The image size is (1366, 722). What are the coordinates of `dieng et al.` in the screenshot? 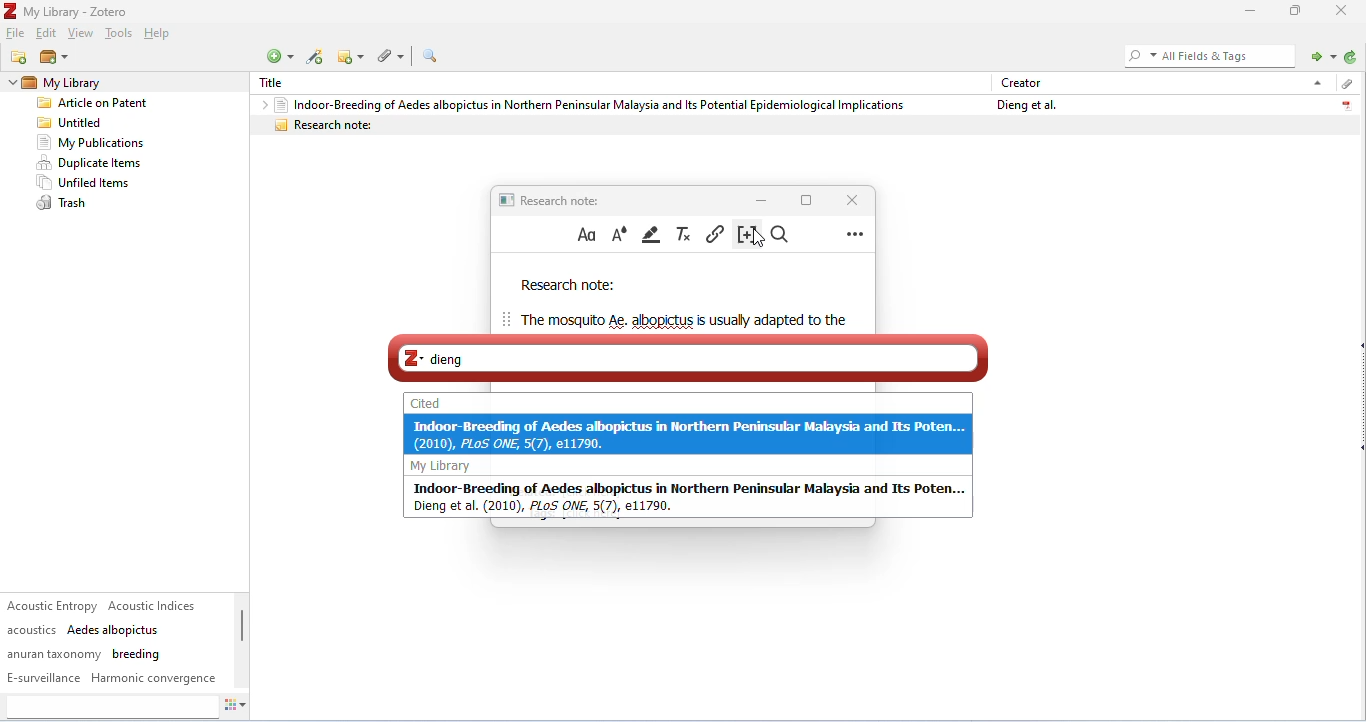 It's located at (1024, 105).